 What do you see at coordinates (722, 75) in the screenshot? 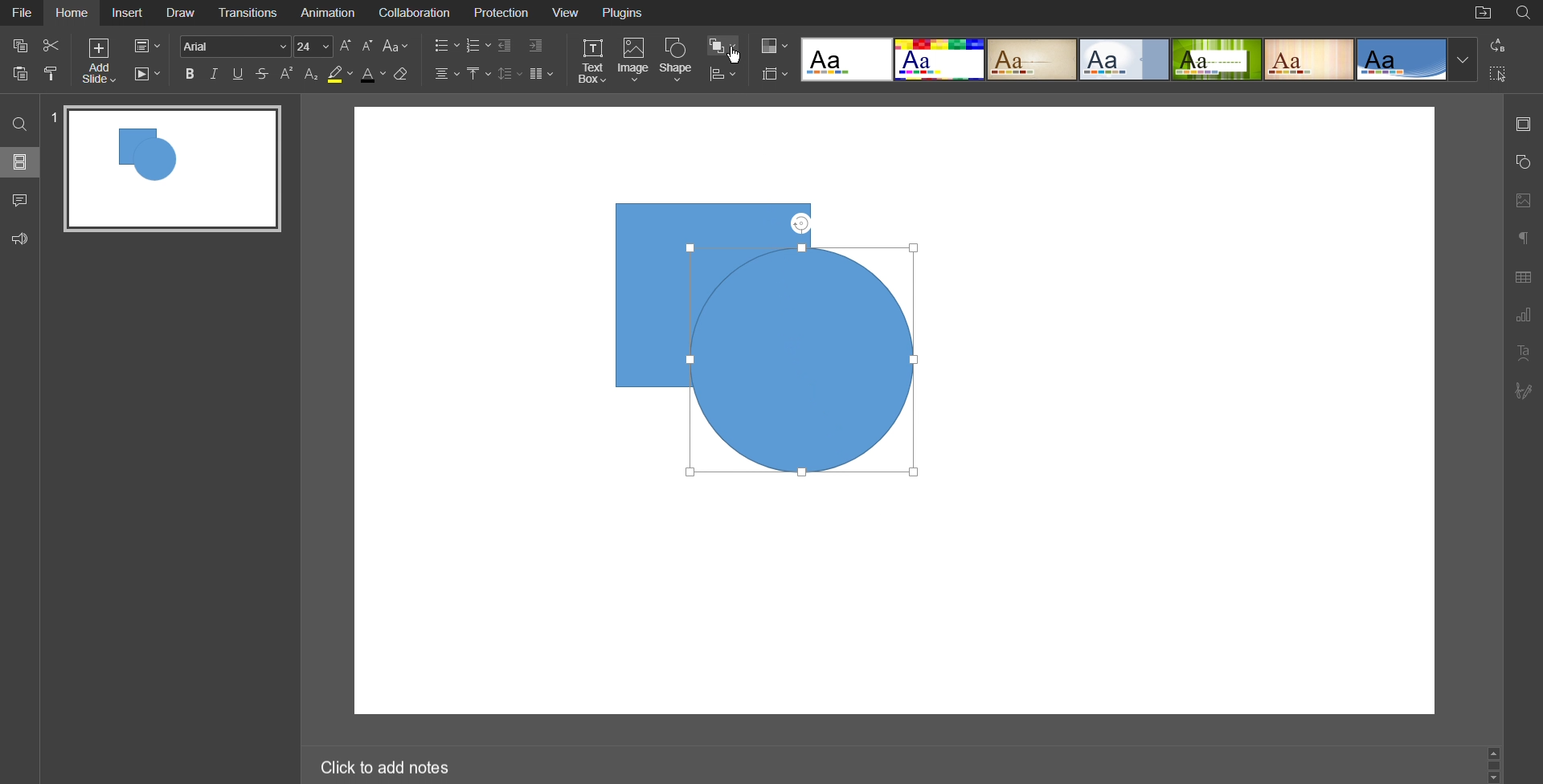
I see `Distribute` at bounding box center [722, 75].